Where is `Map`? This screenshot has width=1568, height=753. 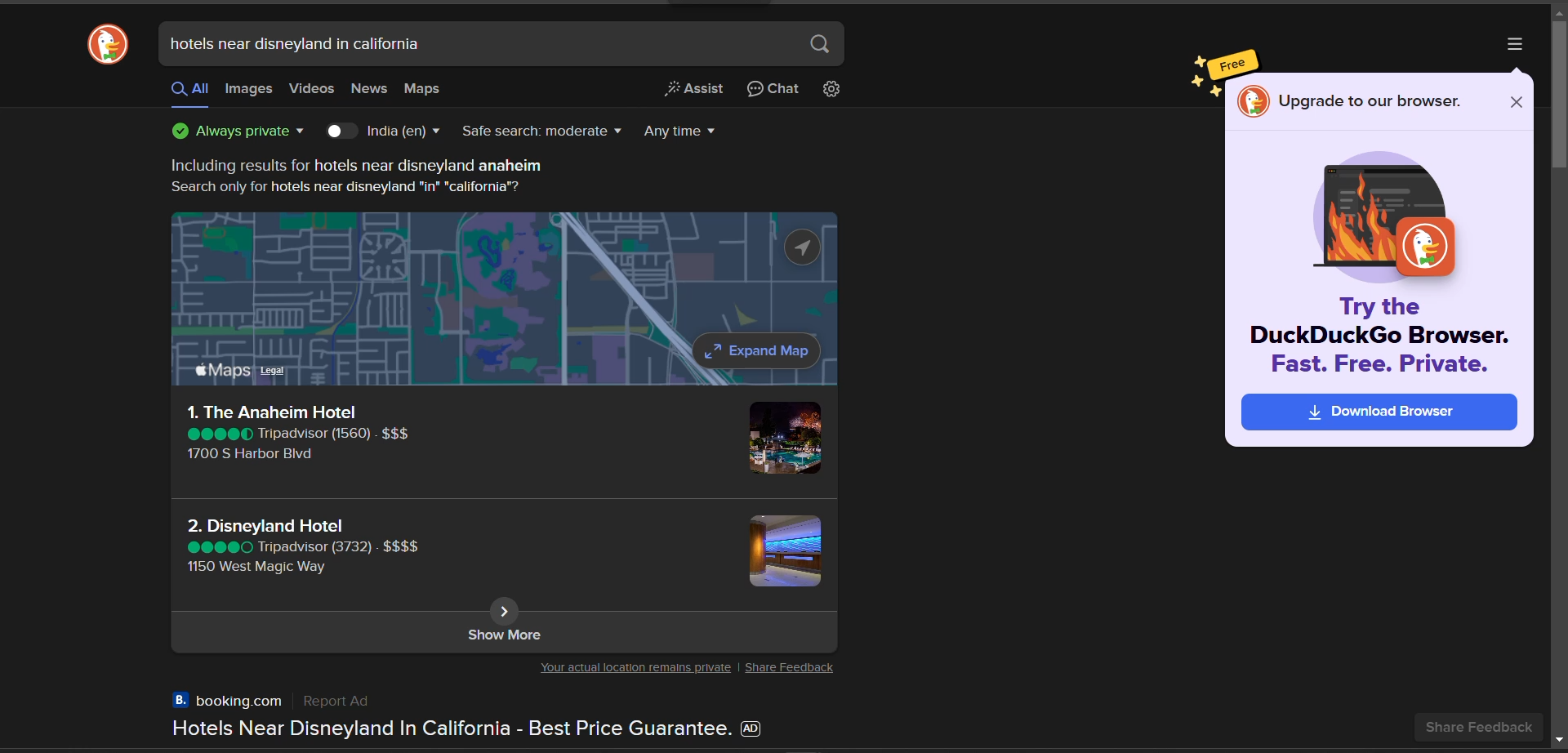
Map is located at coordinates (504, 301).